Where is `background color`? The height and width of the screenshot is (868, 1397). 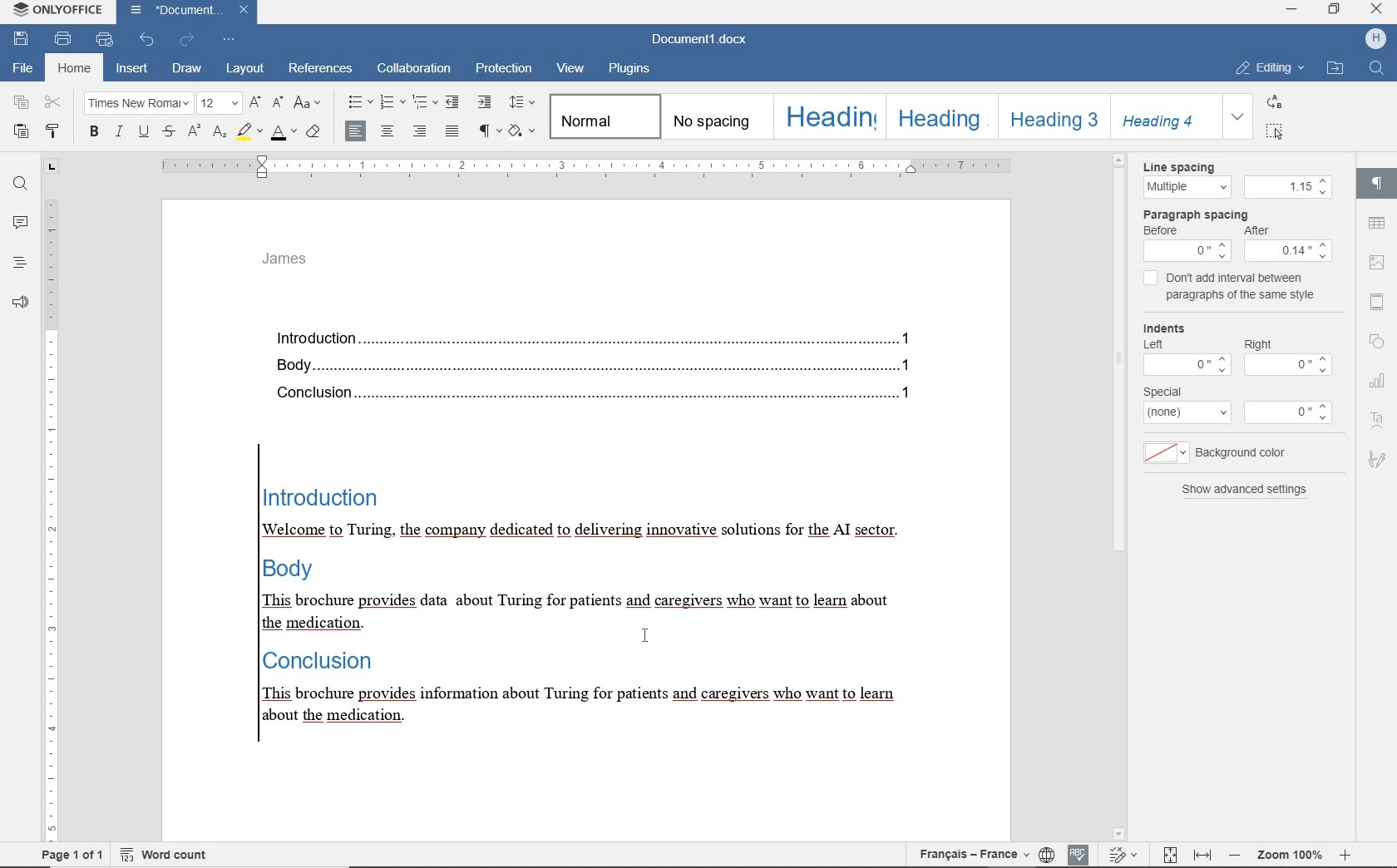
background color is located at coordinates (1251, 452).